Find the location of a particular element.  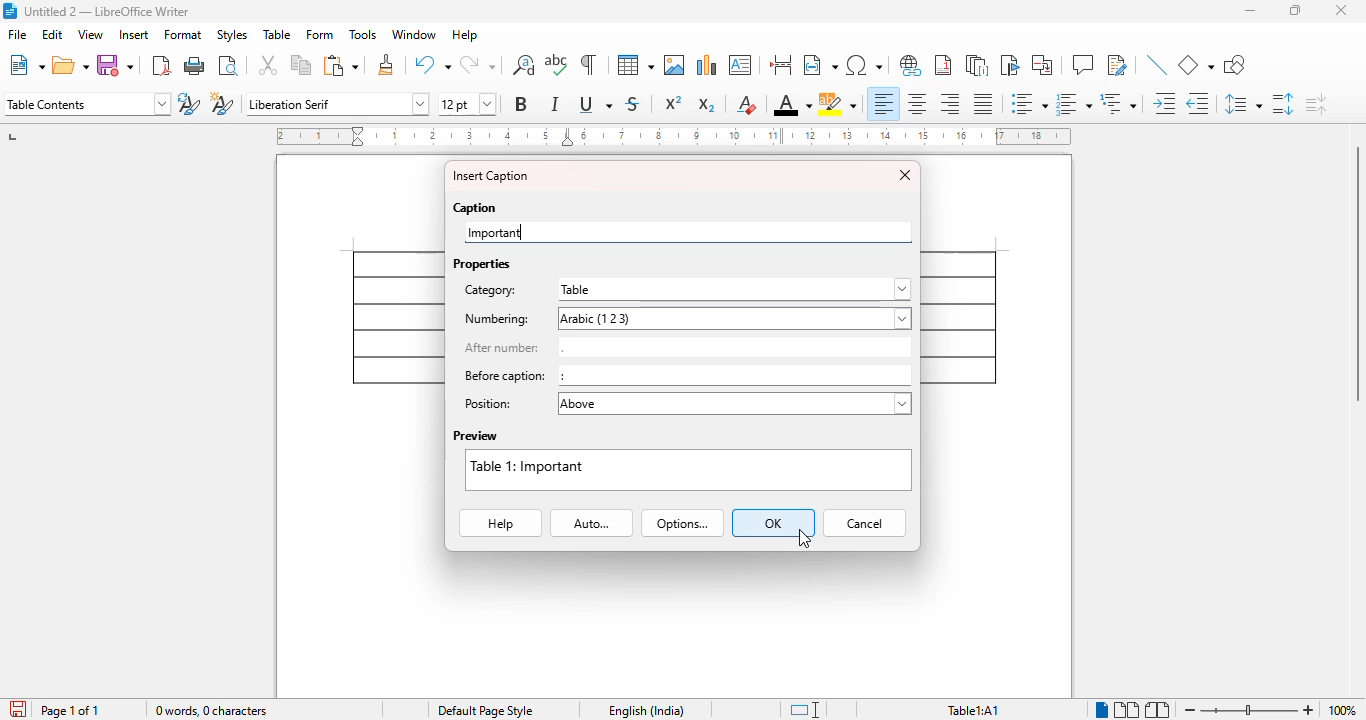

book view is located at coordinates (1158, 710).